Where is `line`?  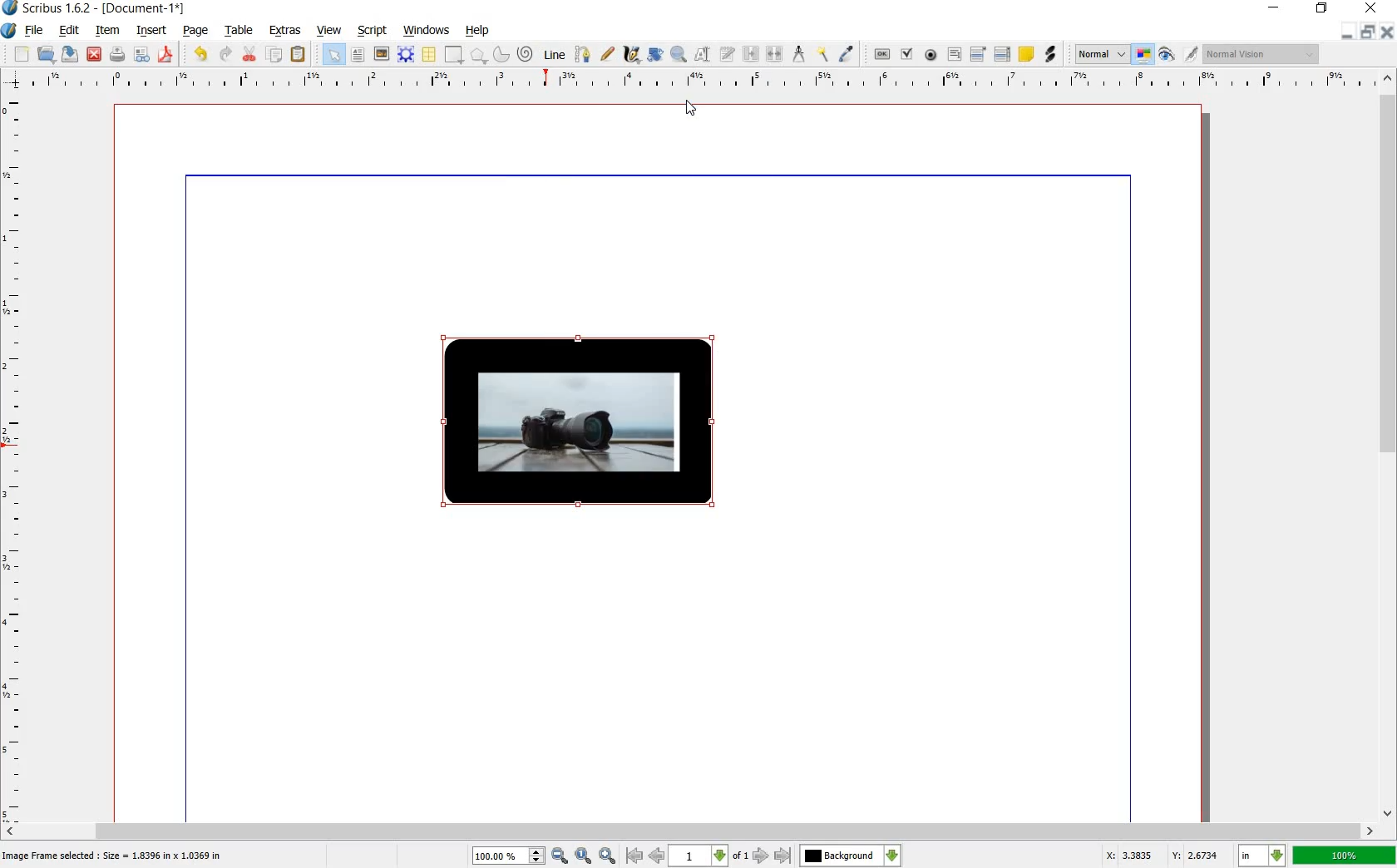 line is located at coordinates (554, 55).